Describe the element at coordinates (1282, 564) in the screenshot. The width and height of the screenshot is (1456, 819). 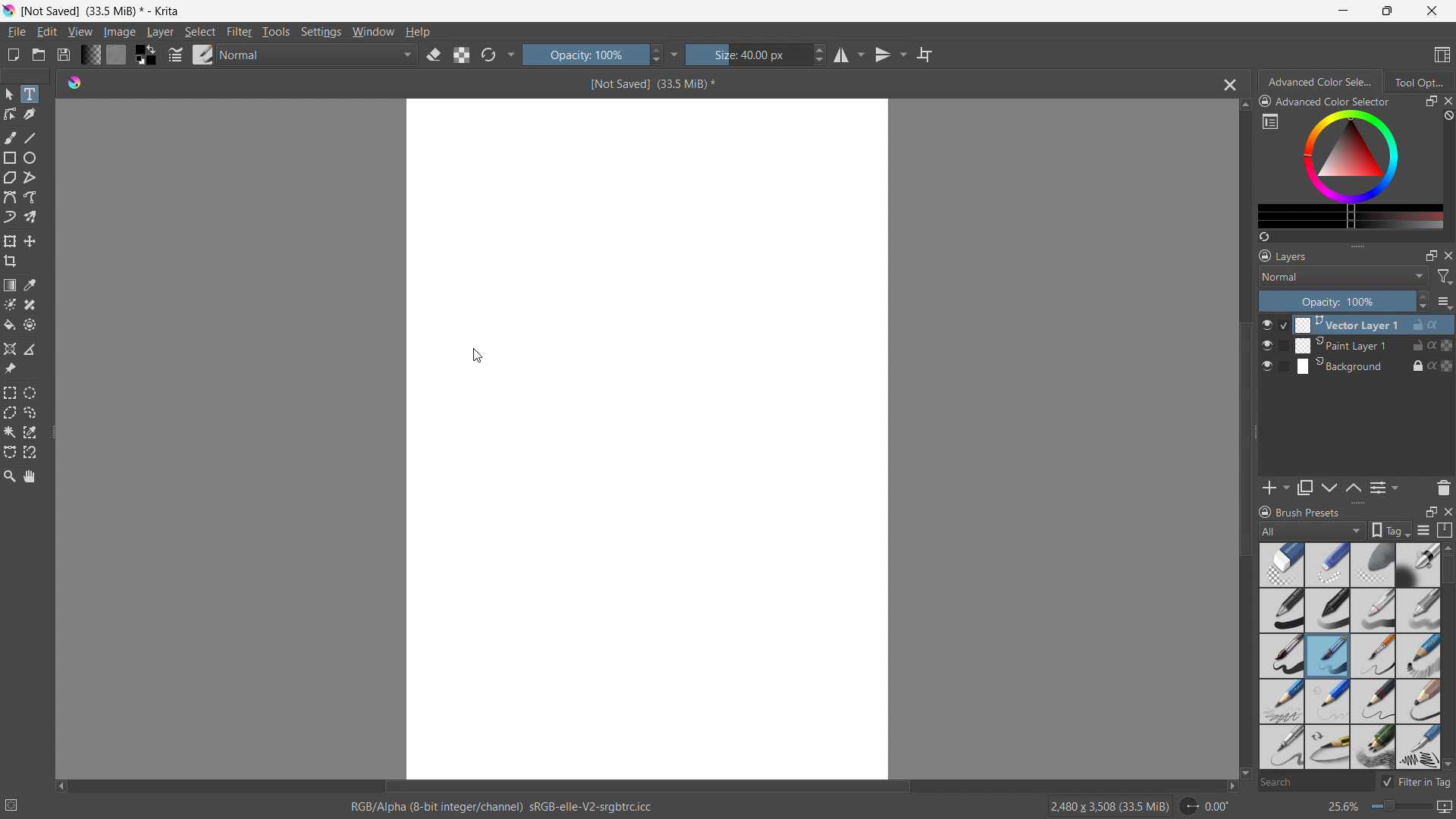
I see `Blur` at that location.